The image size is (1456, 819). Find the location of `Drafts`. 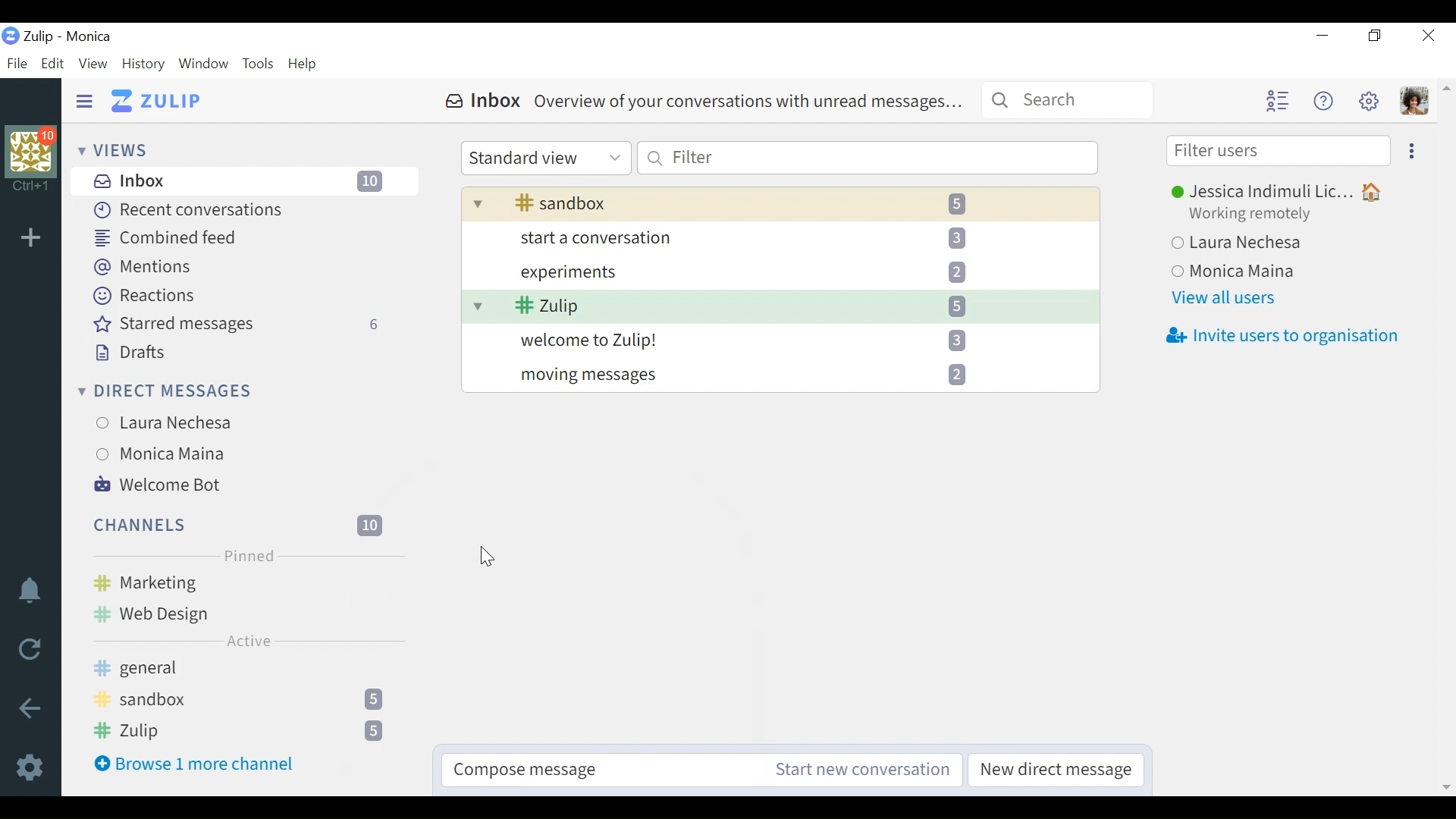

Drafts is located at coordinates (127, 353).